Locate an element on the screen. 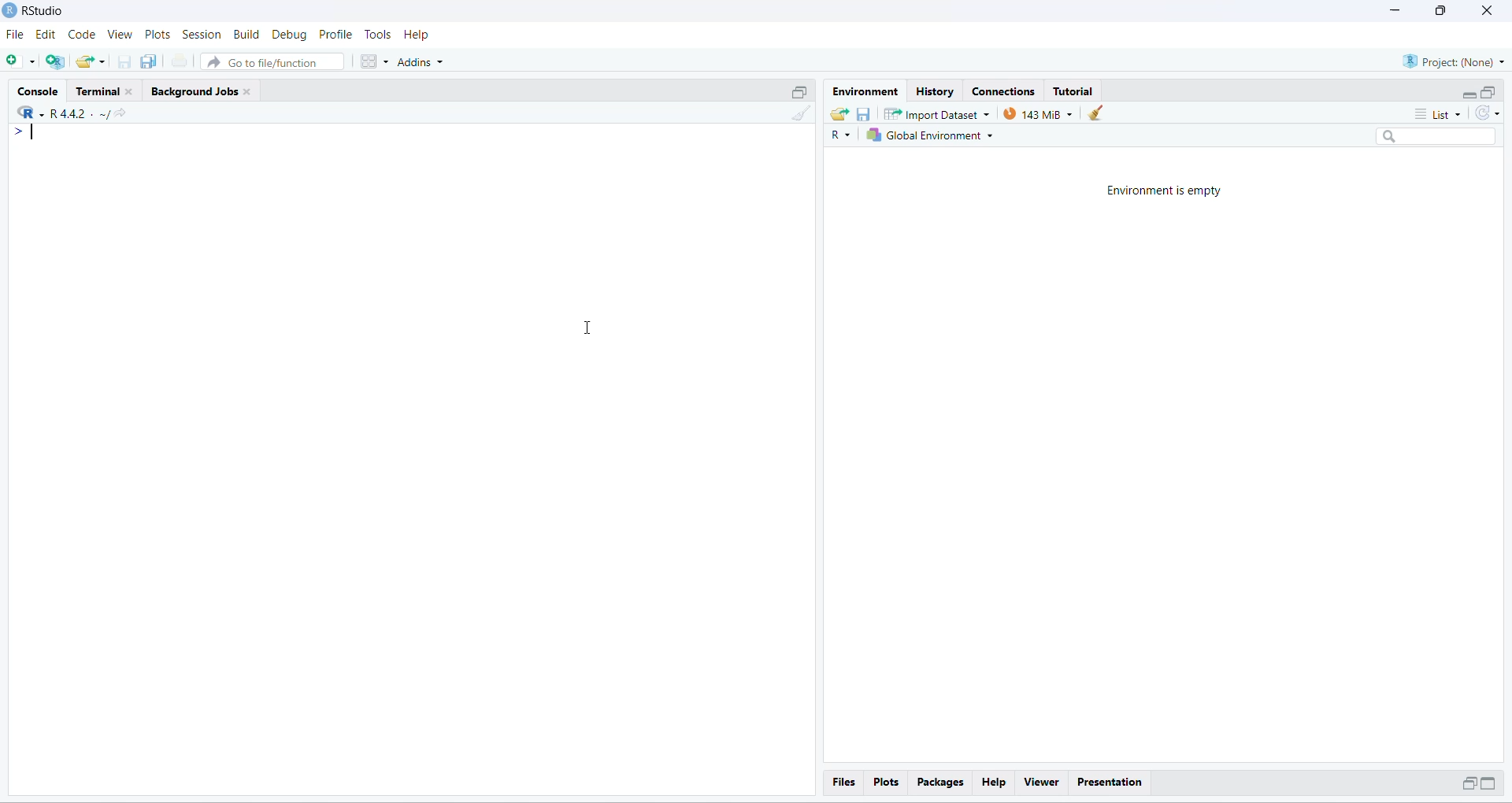 Image resolution: width=1512 pixels, height=803 pixels. RStudio is located at coordinates (45, 10).